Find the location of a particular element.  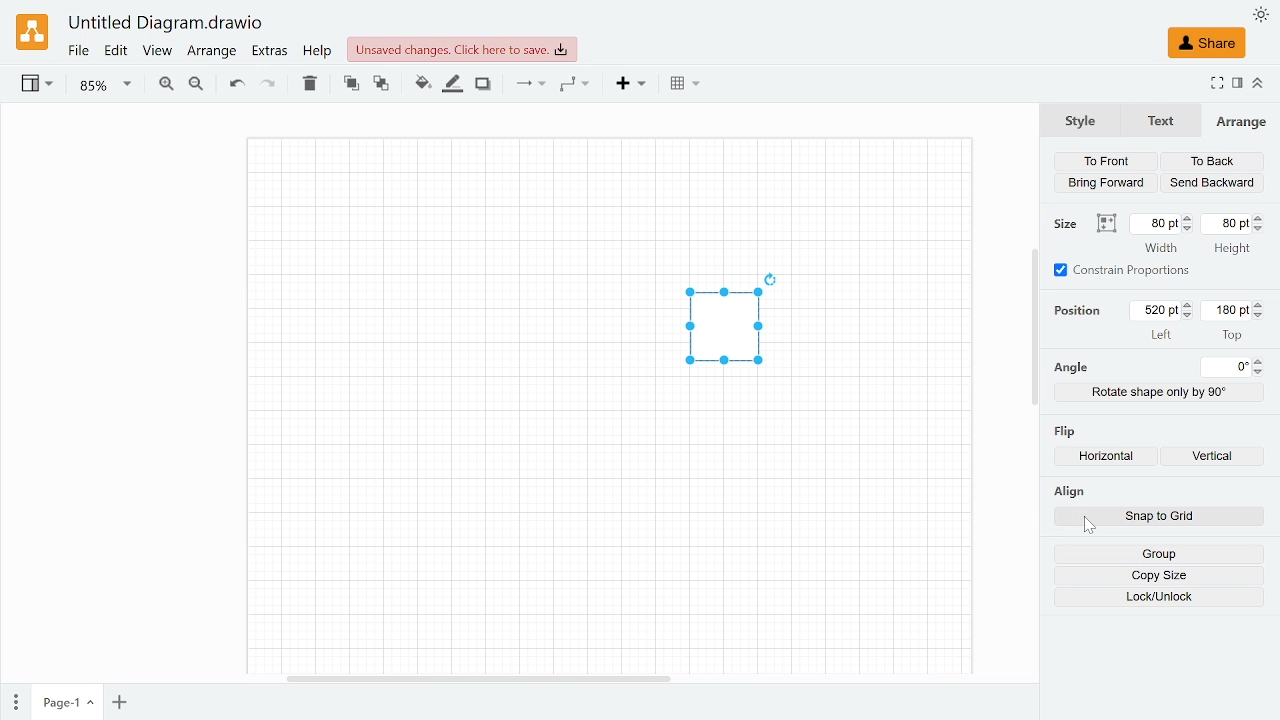

Style is located at coordinates (1080, 119).